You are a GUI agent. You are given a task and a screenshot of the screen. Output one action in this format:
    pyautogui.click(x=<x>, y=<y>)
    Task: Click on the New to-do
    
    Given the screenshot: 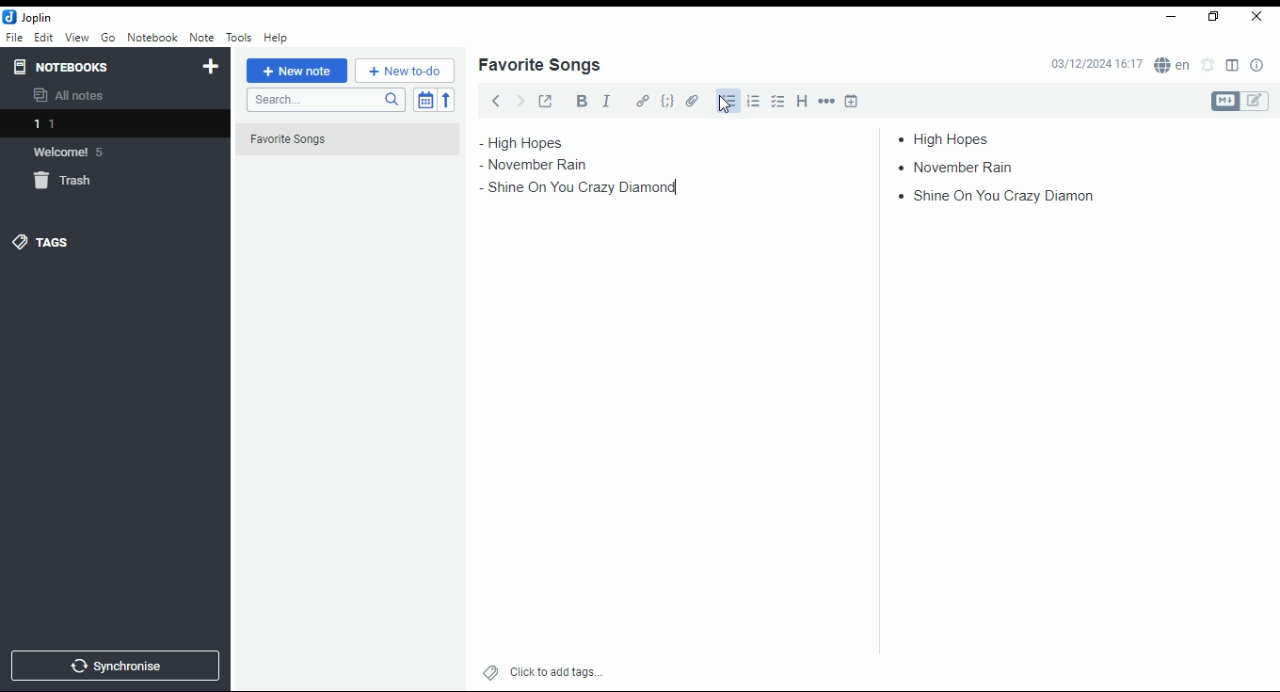 What is the action you would take?
    pyautogui.click(x=405, y=71)
    